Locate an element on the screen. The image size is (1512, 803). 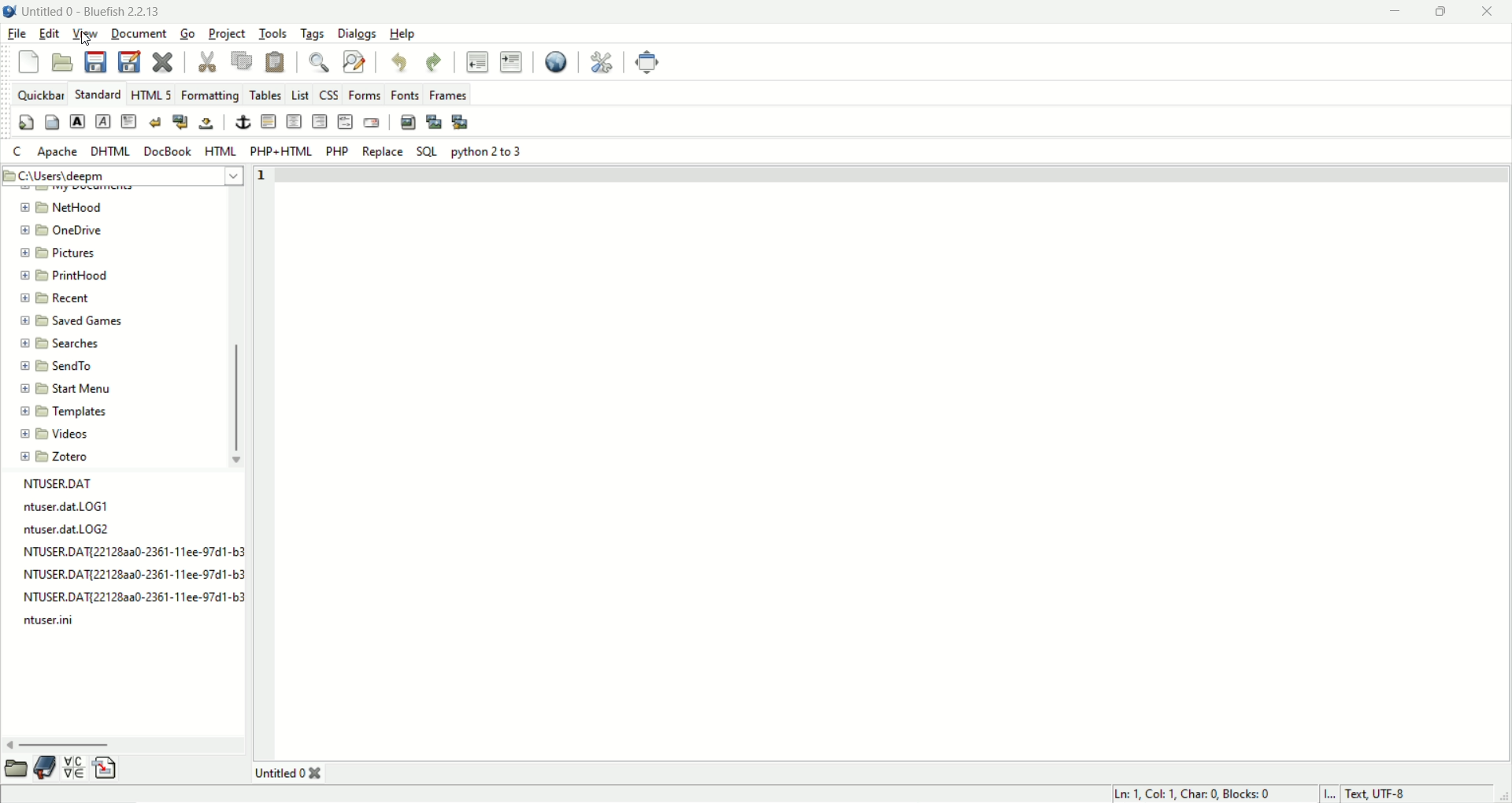
tools is located at coordinates (272, 33).